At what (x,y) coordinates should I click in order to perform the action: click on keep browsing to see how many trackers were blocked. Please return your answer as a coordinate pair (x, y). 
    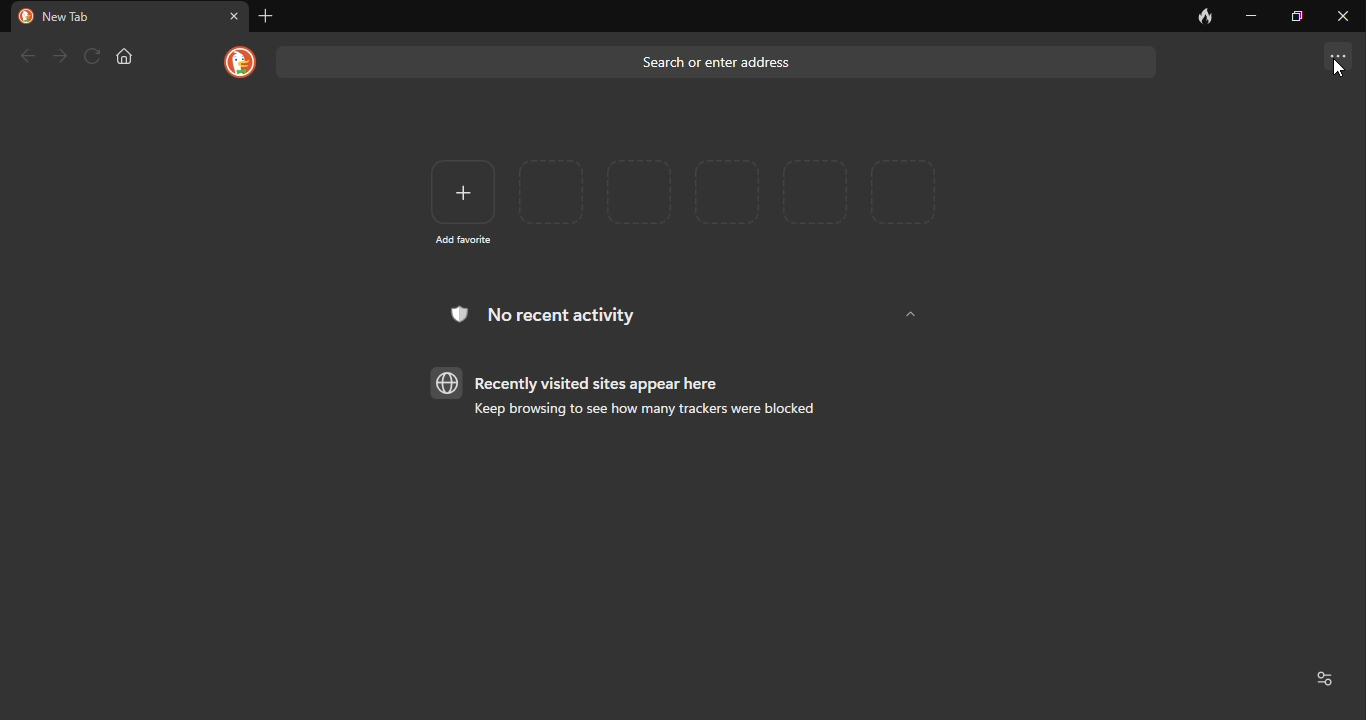
    Looking at the image, I should click on (636, 413).